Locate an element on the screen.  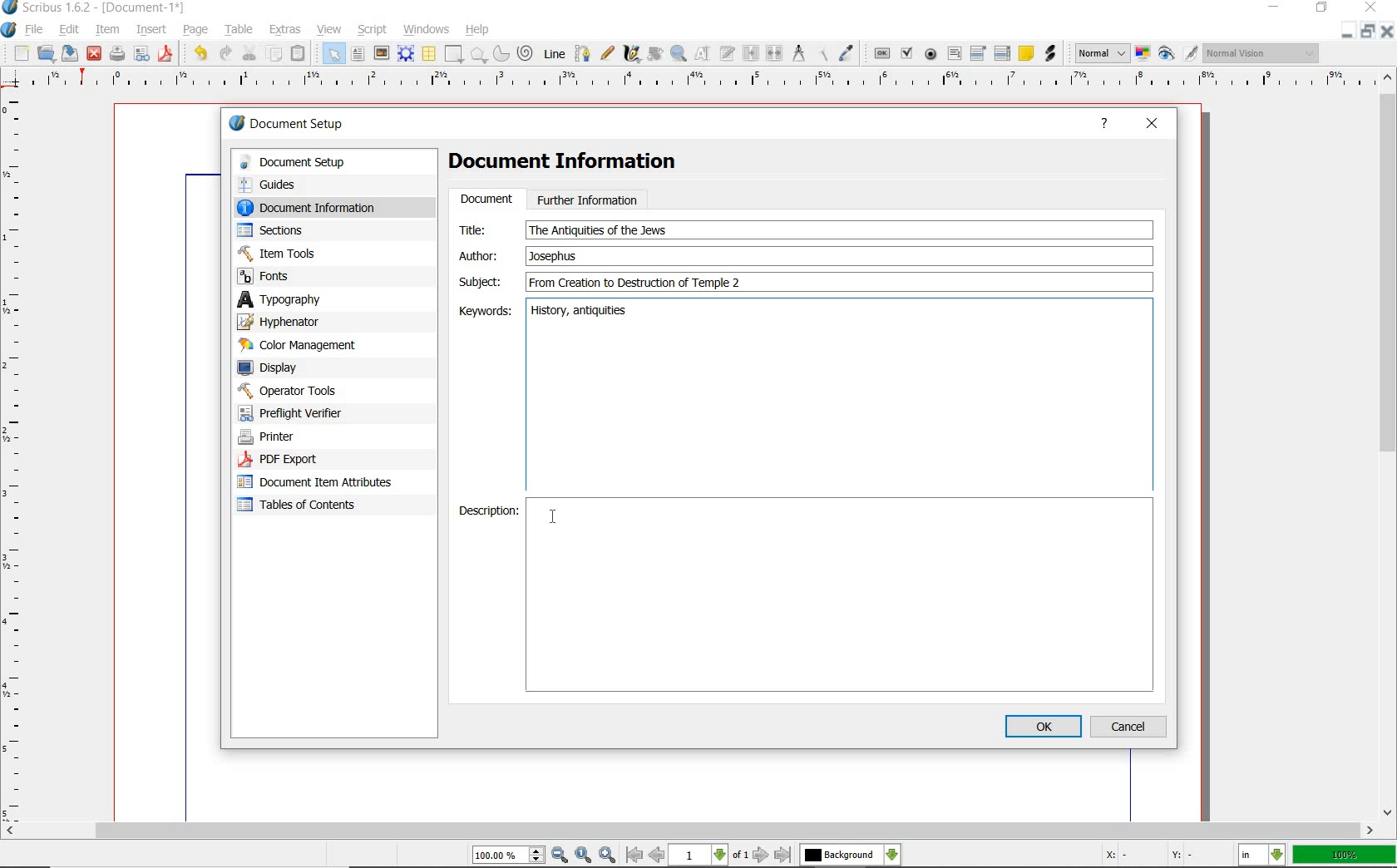
pdf list box is located at coordinates (1001, 53).